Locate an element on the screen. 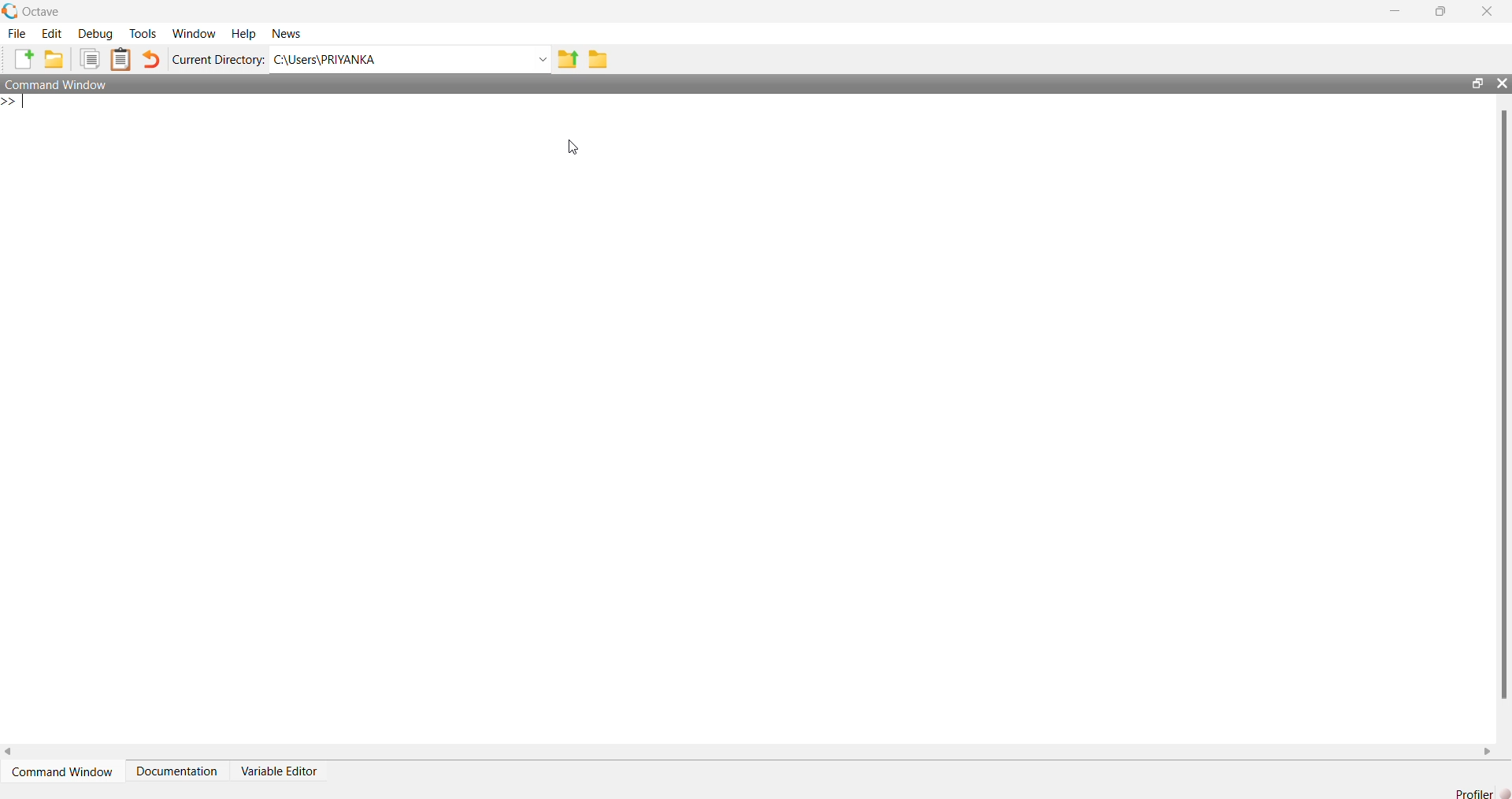 This screenshot has width=1512, height=799. Window is located at coordinates (195, 33).